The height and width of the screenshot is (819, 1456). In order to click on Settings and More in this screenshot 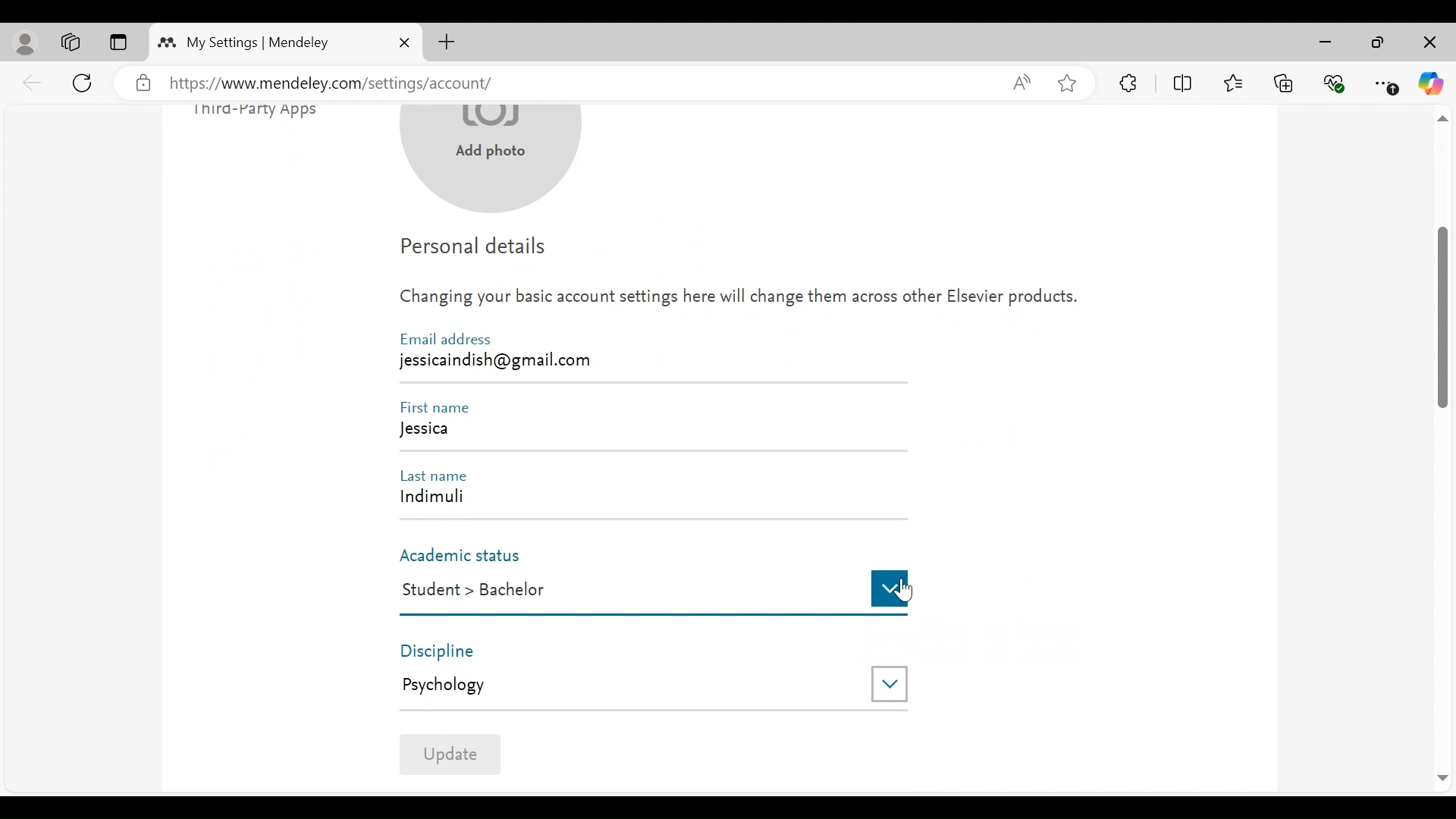, I will do `click(1387, 84)`.